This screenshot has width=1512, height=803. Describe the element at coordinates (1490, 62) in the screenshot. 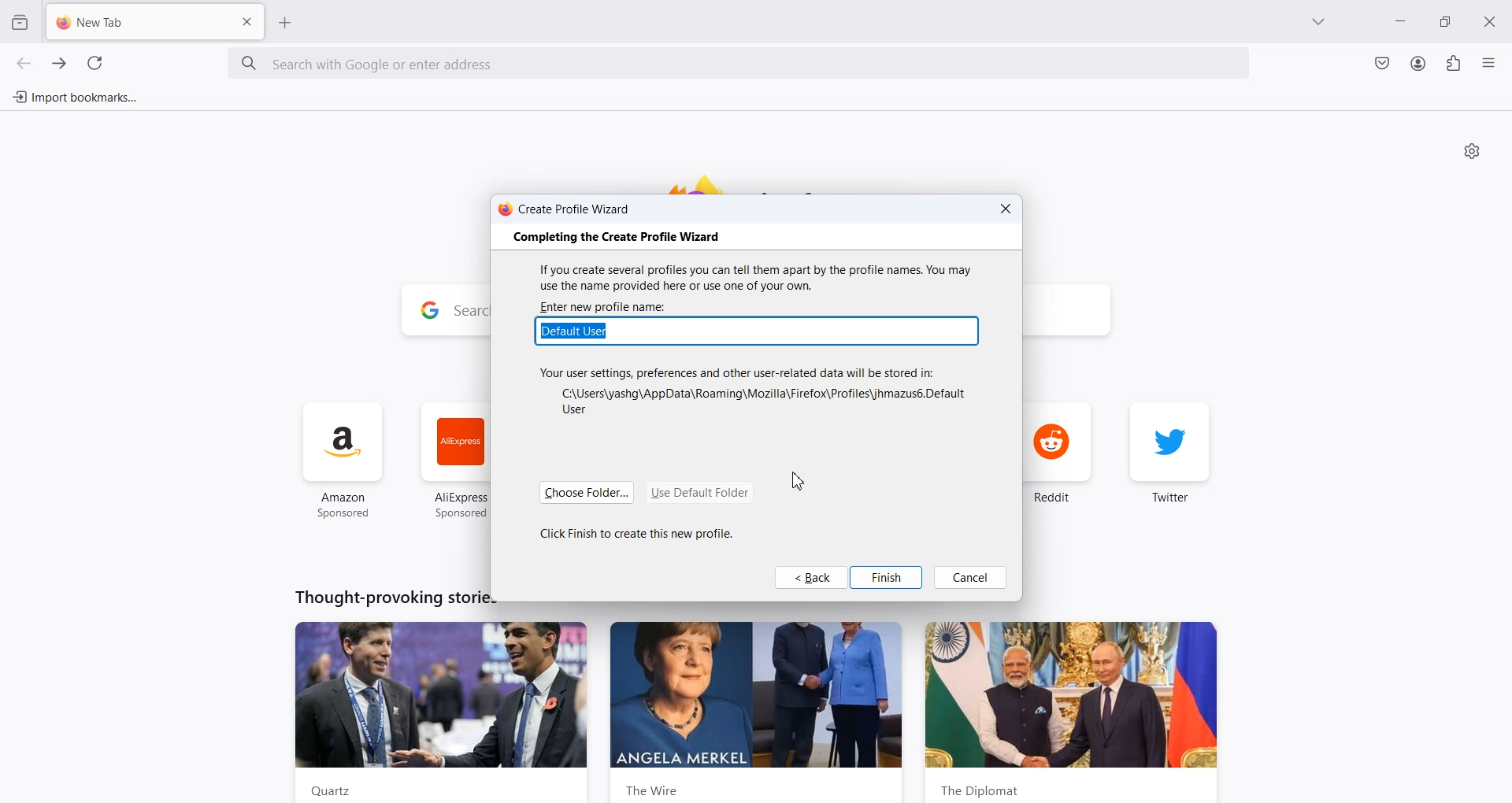

I see `Open Application menu` at that location.